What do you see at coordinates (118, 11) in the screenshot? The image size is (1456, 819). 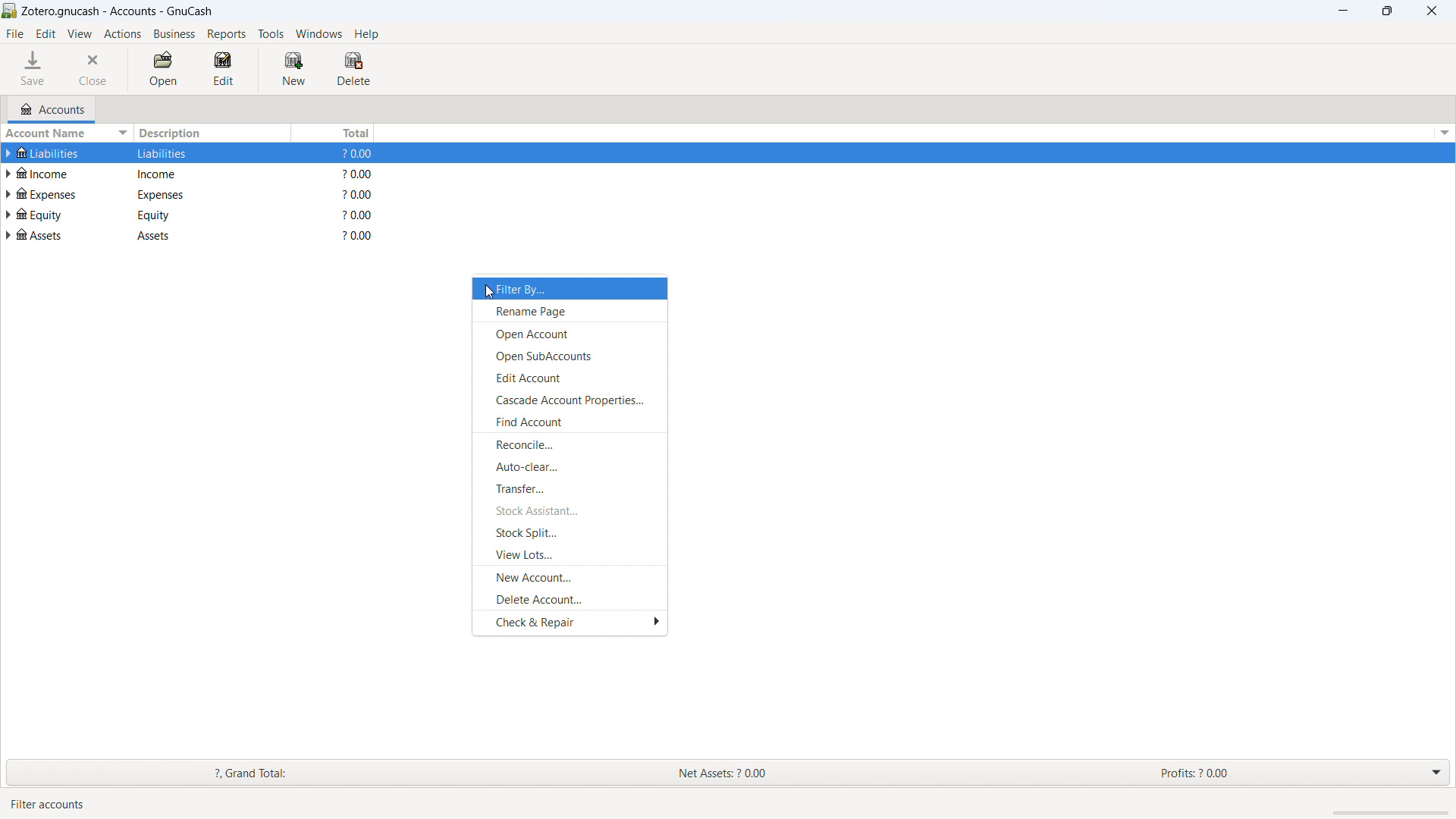 I see `title` at bounding box center [118, 11].